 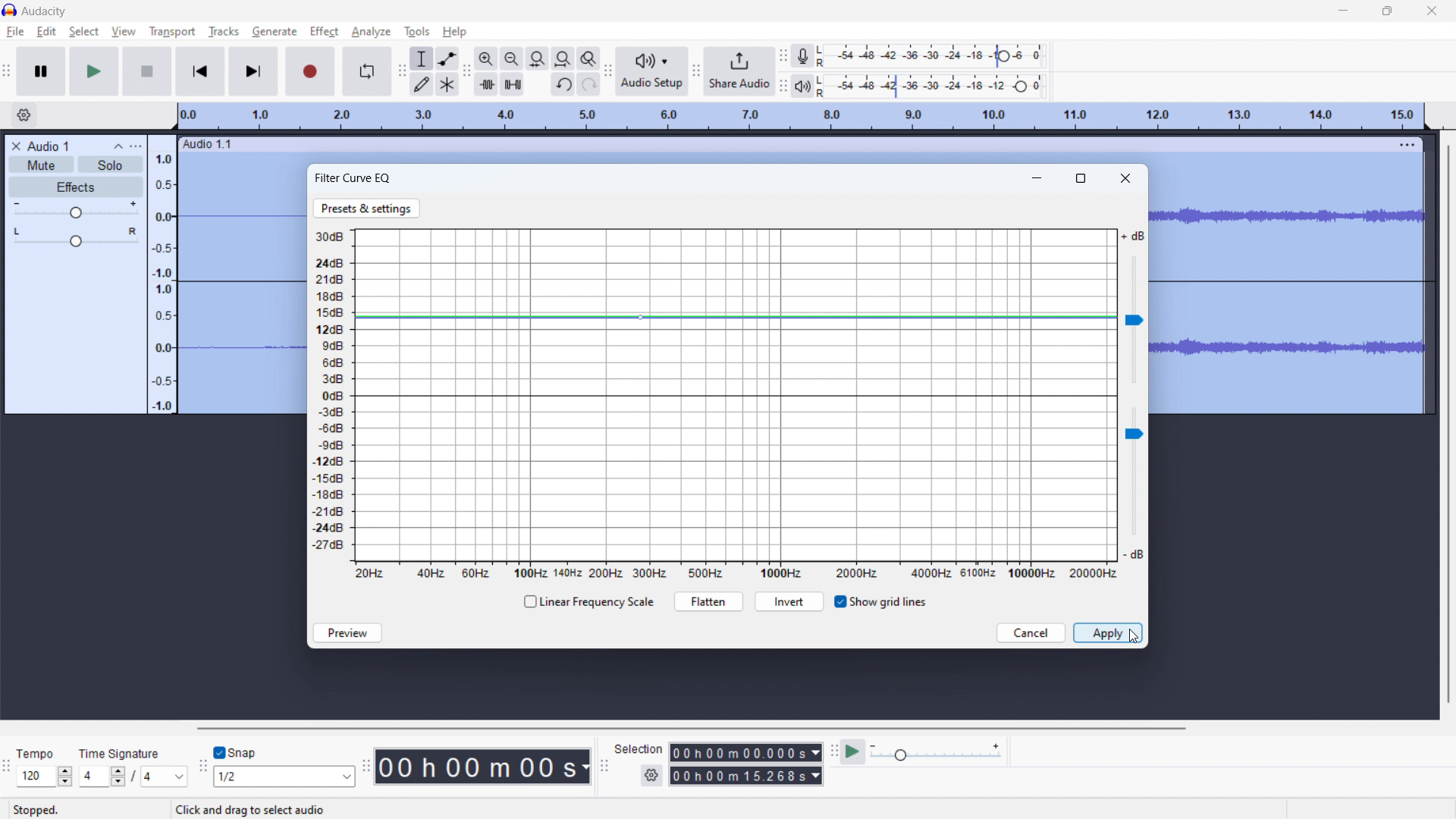 I want to click on pause, so click(x=42, y=71).